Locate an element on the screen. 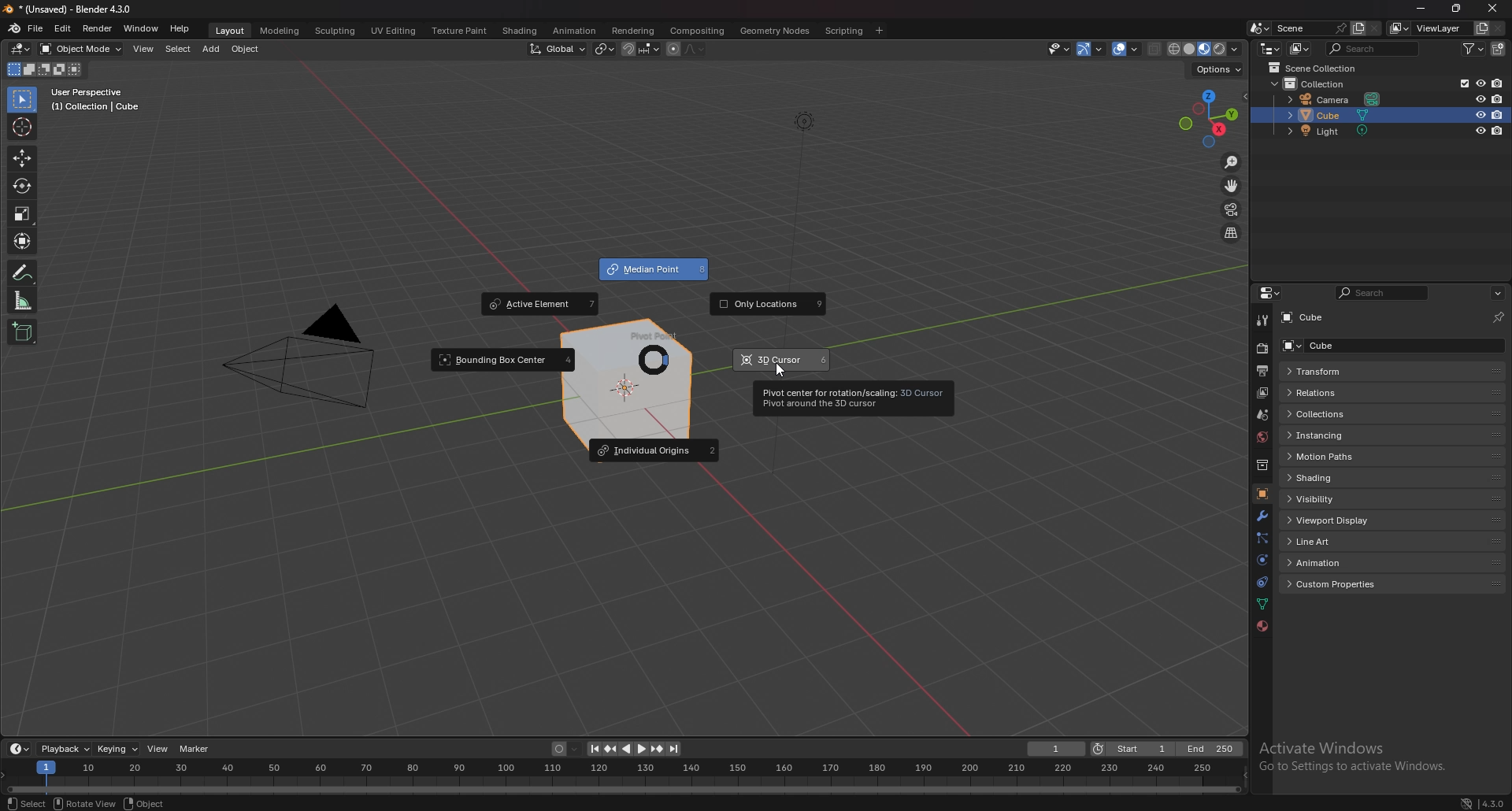 Image resolution: width=1512 pixels, height=811 pixels. visibility is located at coordinates (1332, 498).